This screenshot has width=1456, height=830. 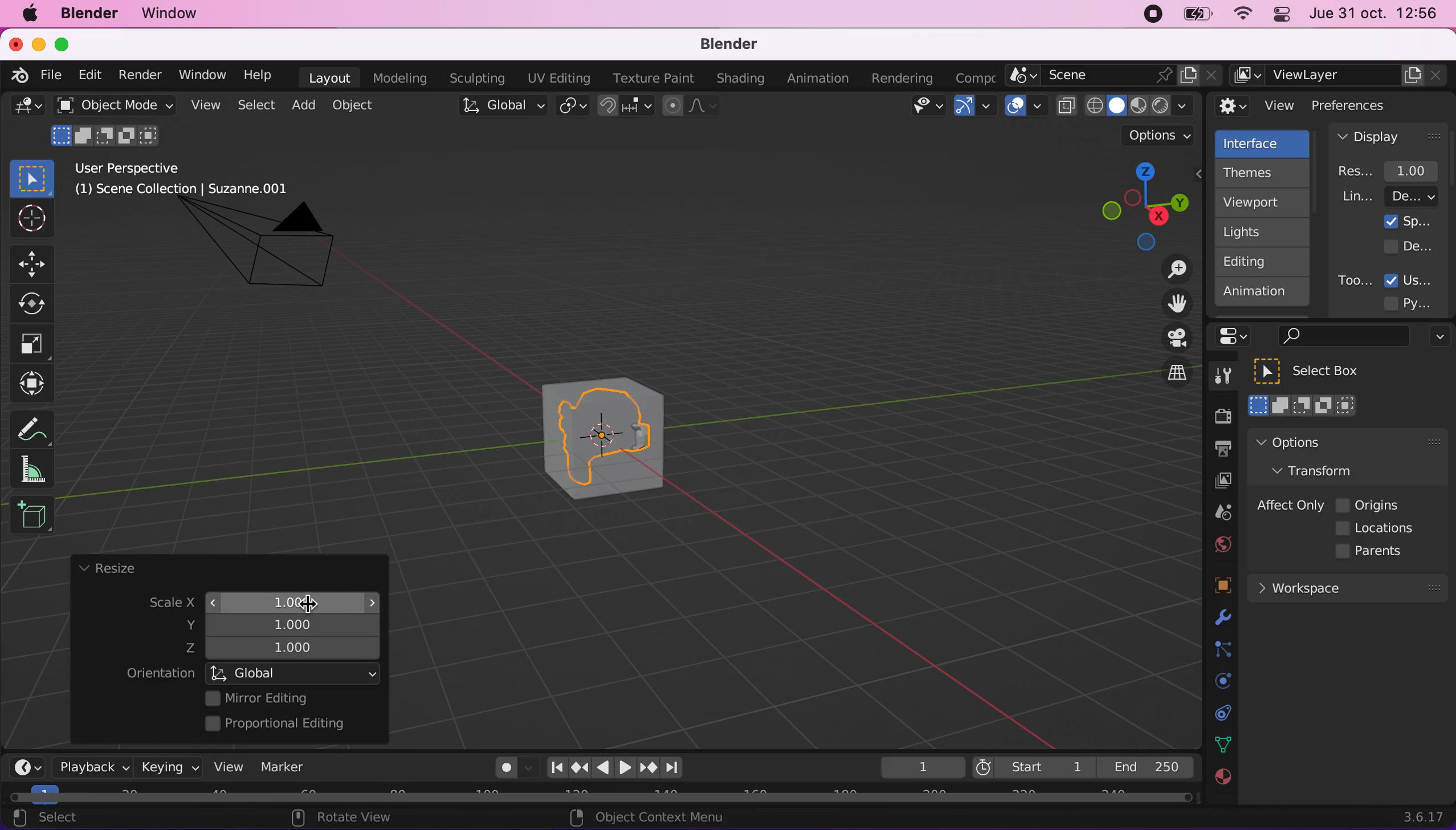 I want to click on z, so click(x=287, y=649).